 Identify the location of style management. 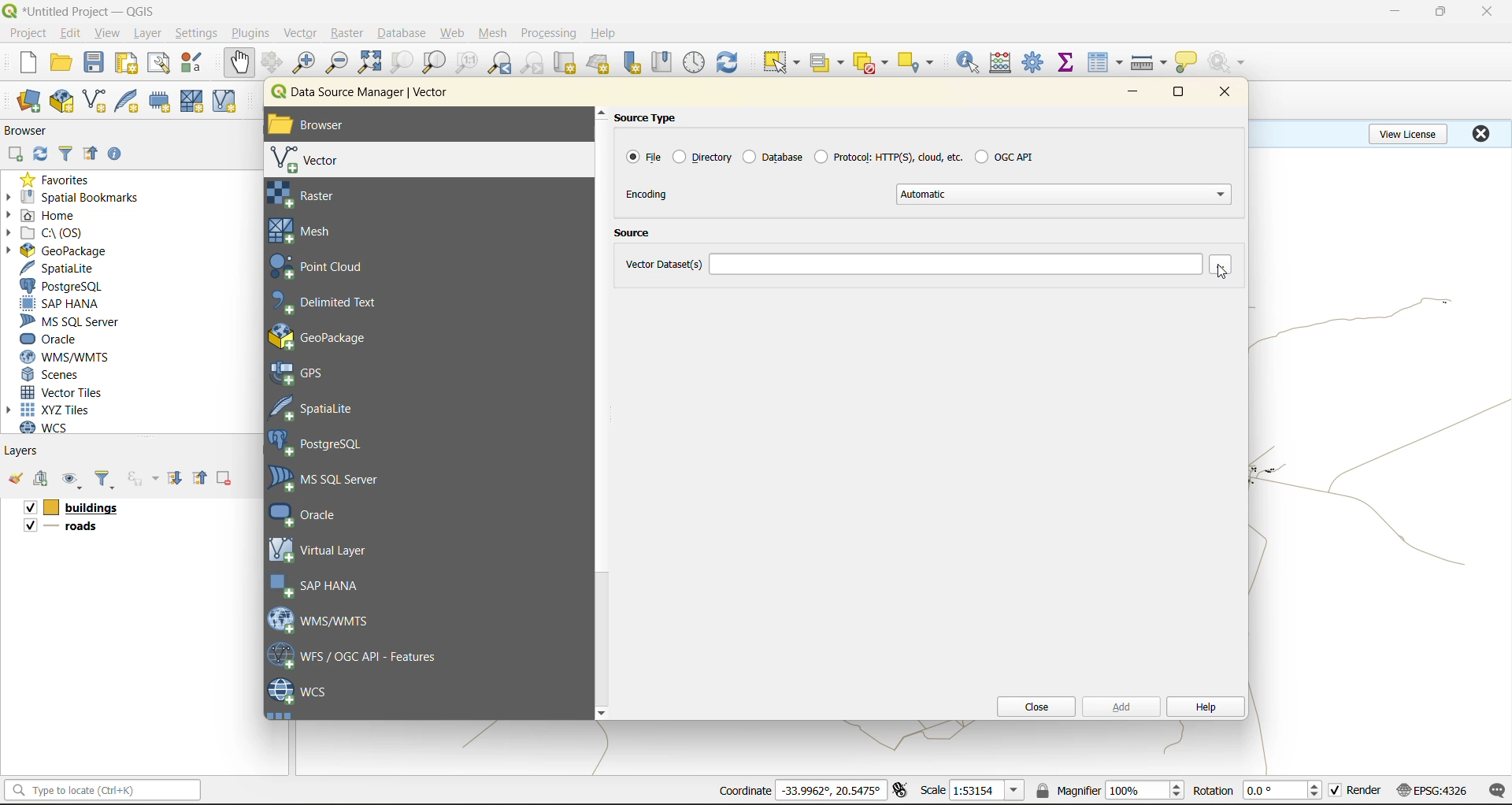
(196, 62).